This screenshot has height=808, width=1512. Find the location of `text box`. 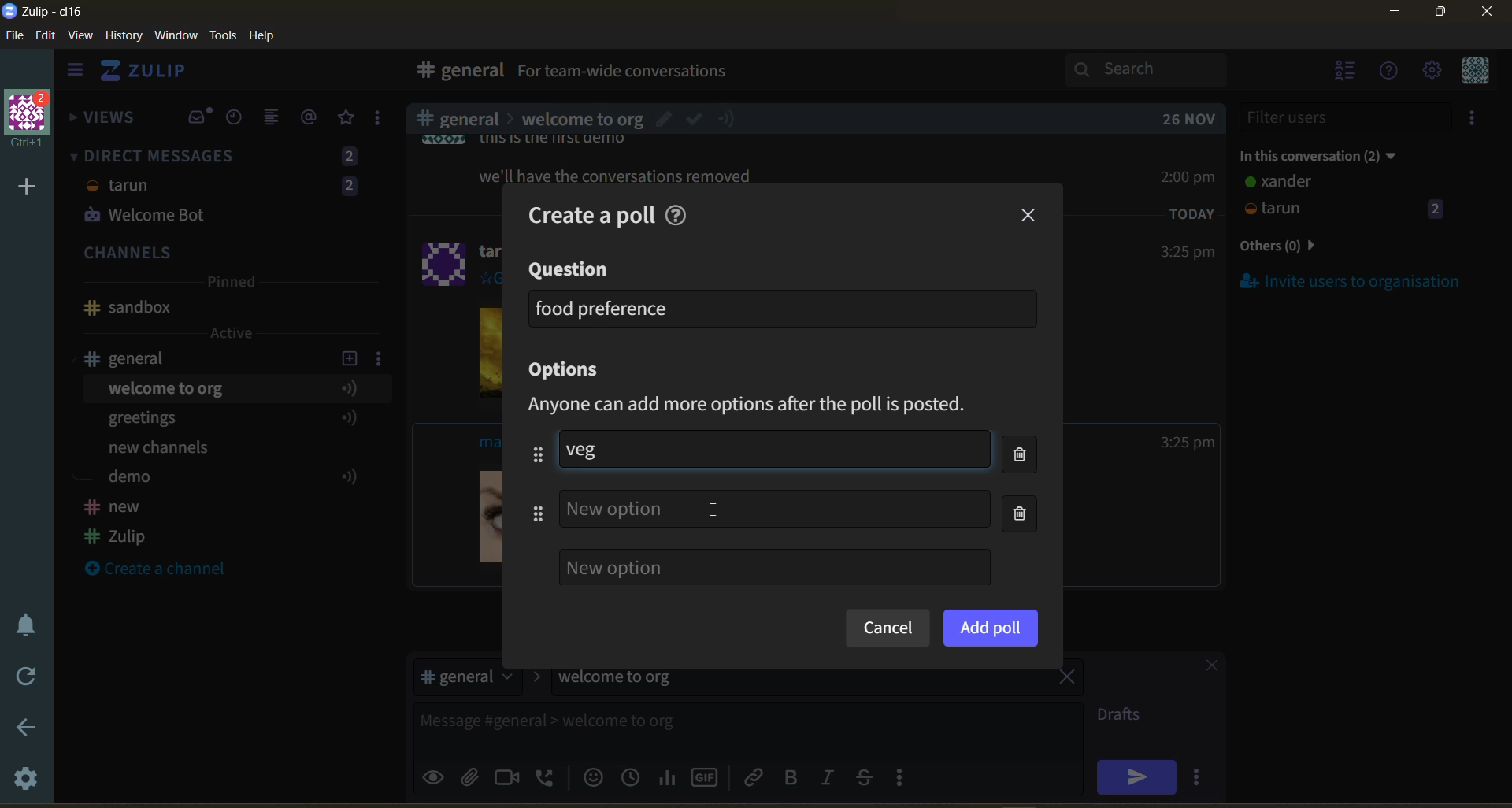

text box is located at coordinates (707, 727).